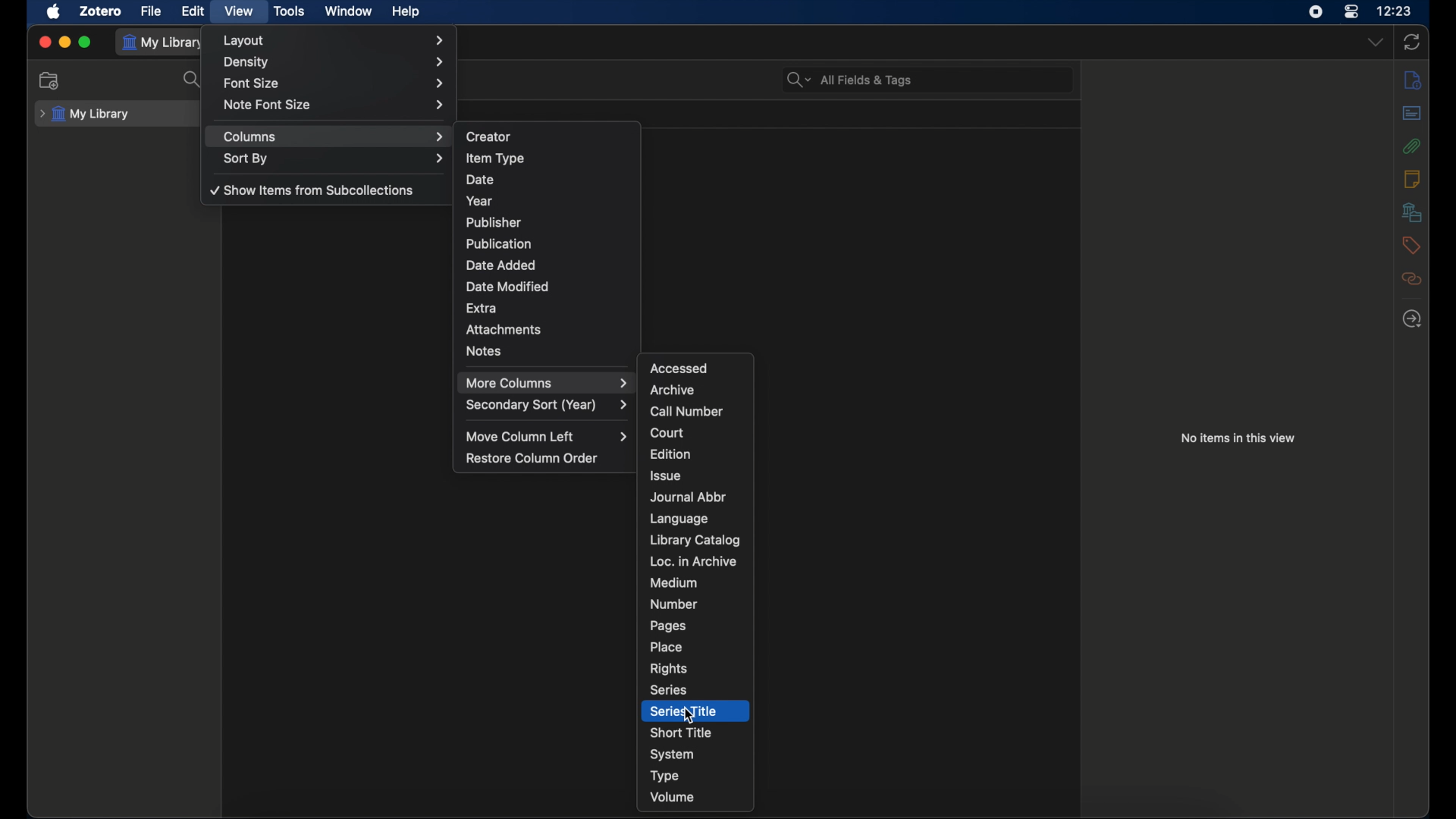 This screenshot has width=1456, height=819. What do you see at coordinates (548, 383) in the screenshot?
I see `more columns` at bounding box center [548, 383].